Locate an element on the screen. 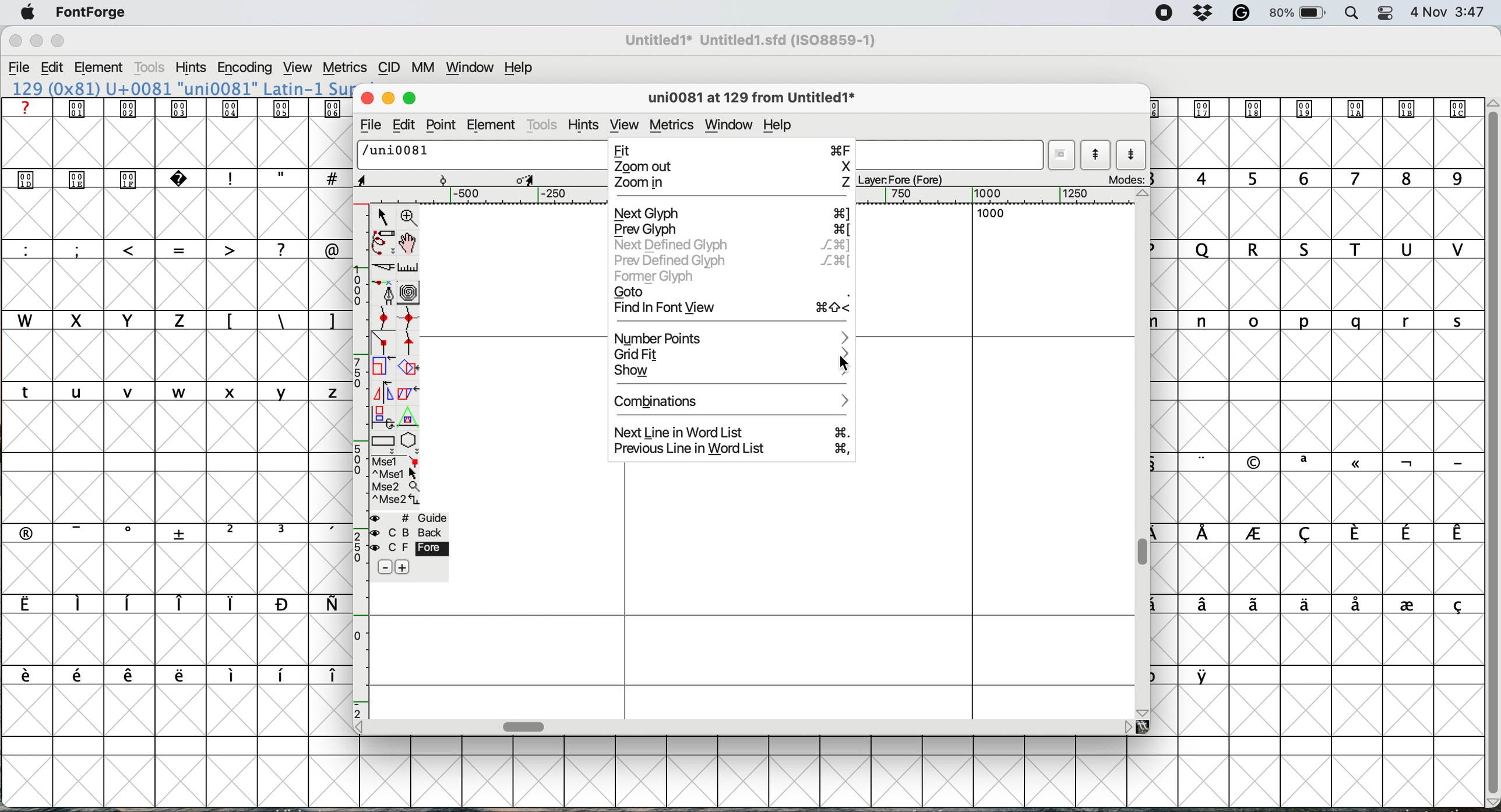 The width and height of the screenshot is (1501, 812). Edit is located at coordinates (52, 67).